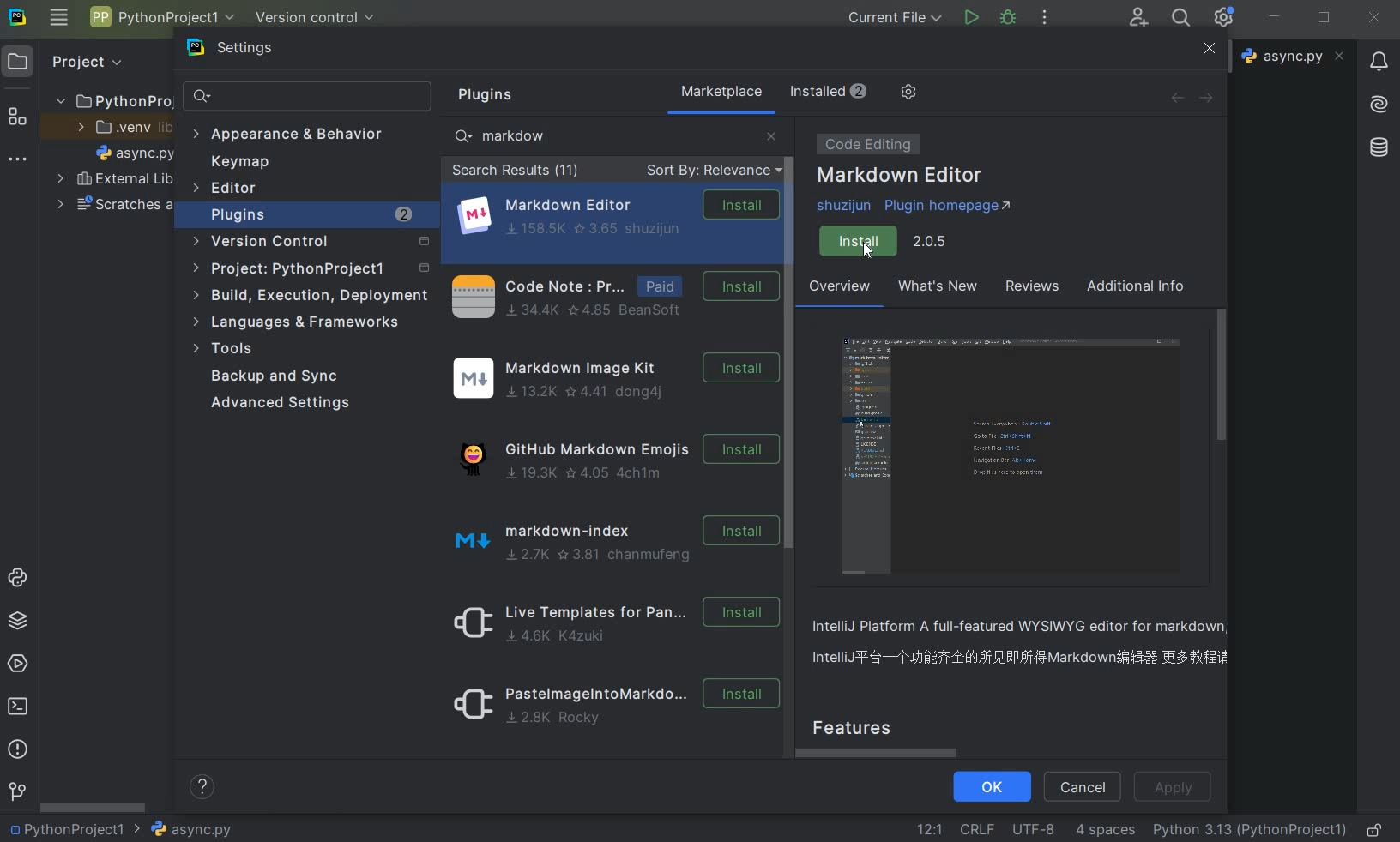  What do you see at coordinates (930, 827) in the screenshot?
I see `go to line` at bounding box center [930, 827].